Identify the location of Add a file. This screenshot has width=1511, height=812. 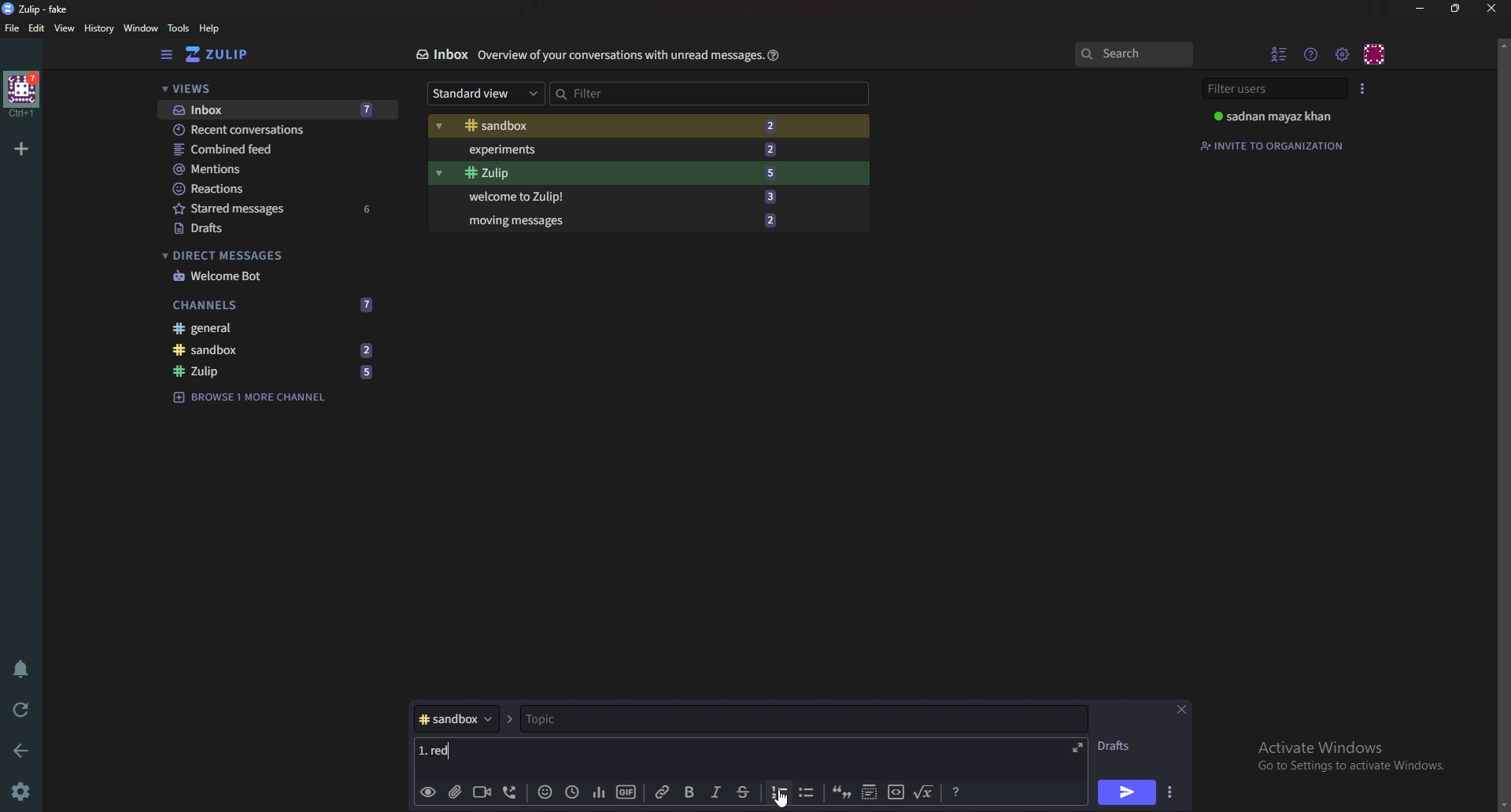
(453, 793).